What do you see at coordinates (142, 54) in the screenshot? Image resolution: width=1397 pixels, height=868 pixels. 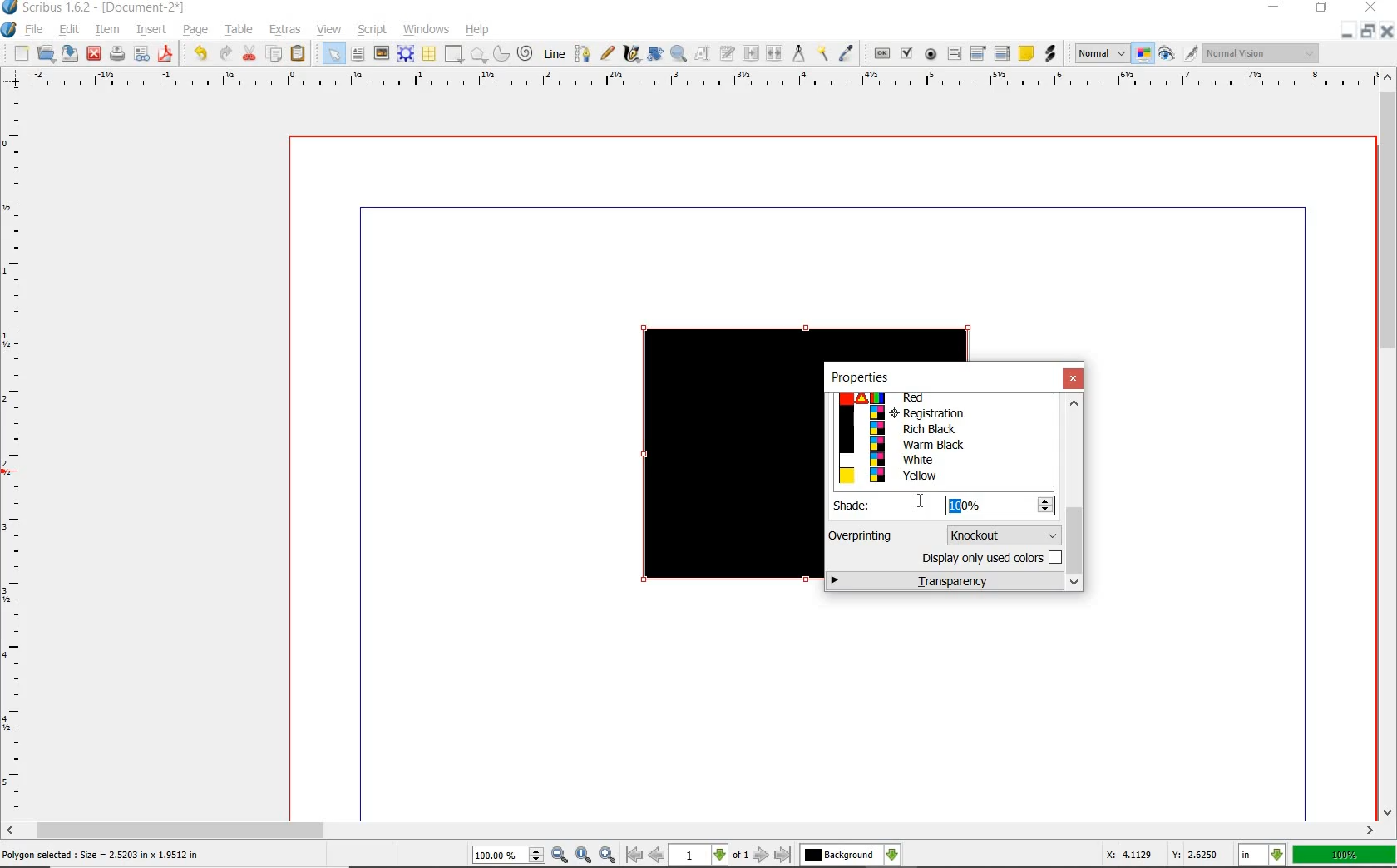 I see `preflight verifier` at bounding box center [142, 54].